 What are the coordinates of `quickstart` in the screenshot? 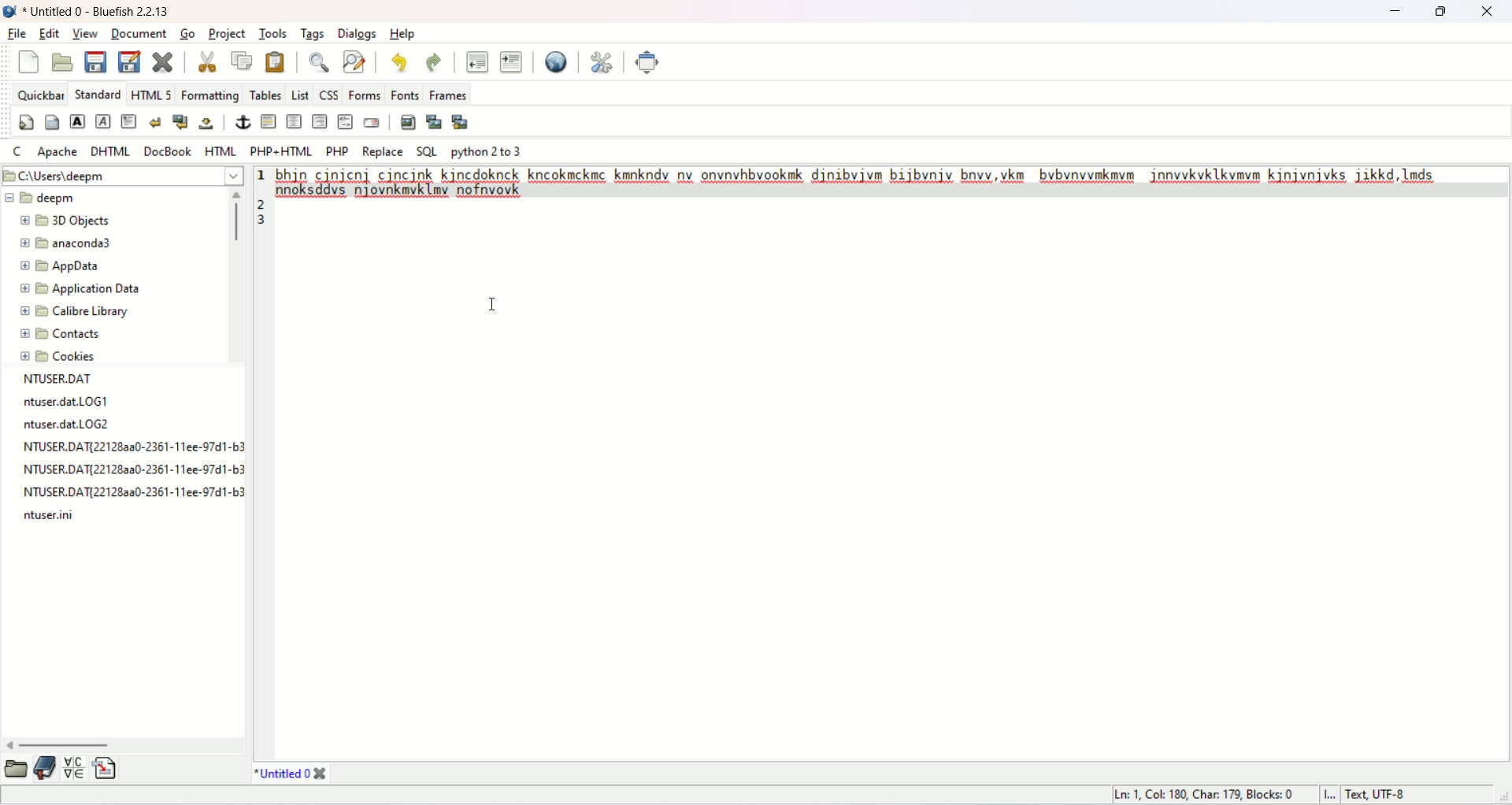 It's located at (28, 123).